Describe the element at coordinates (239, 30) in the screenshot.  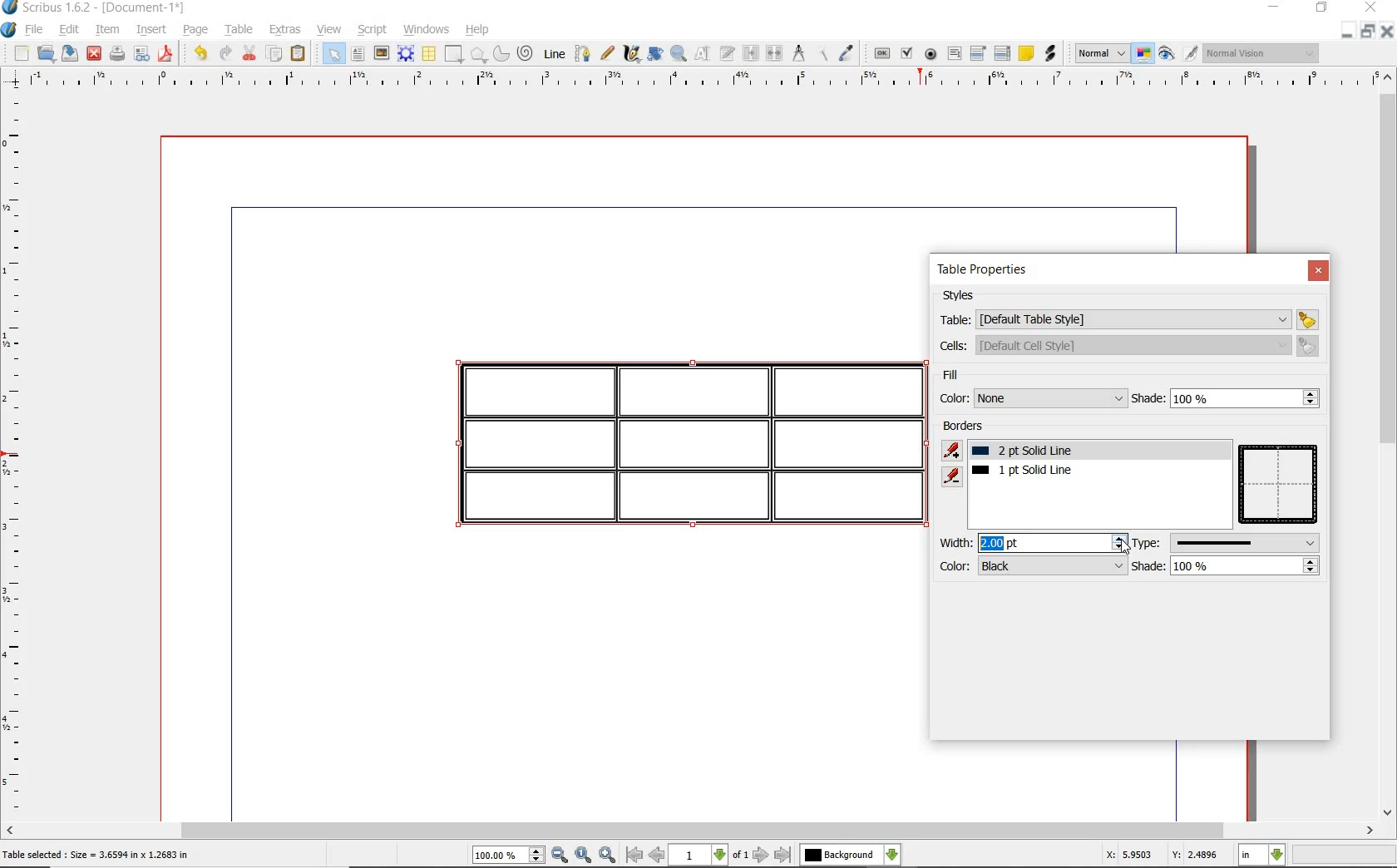
I see `table` at that location.